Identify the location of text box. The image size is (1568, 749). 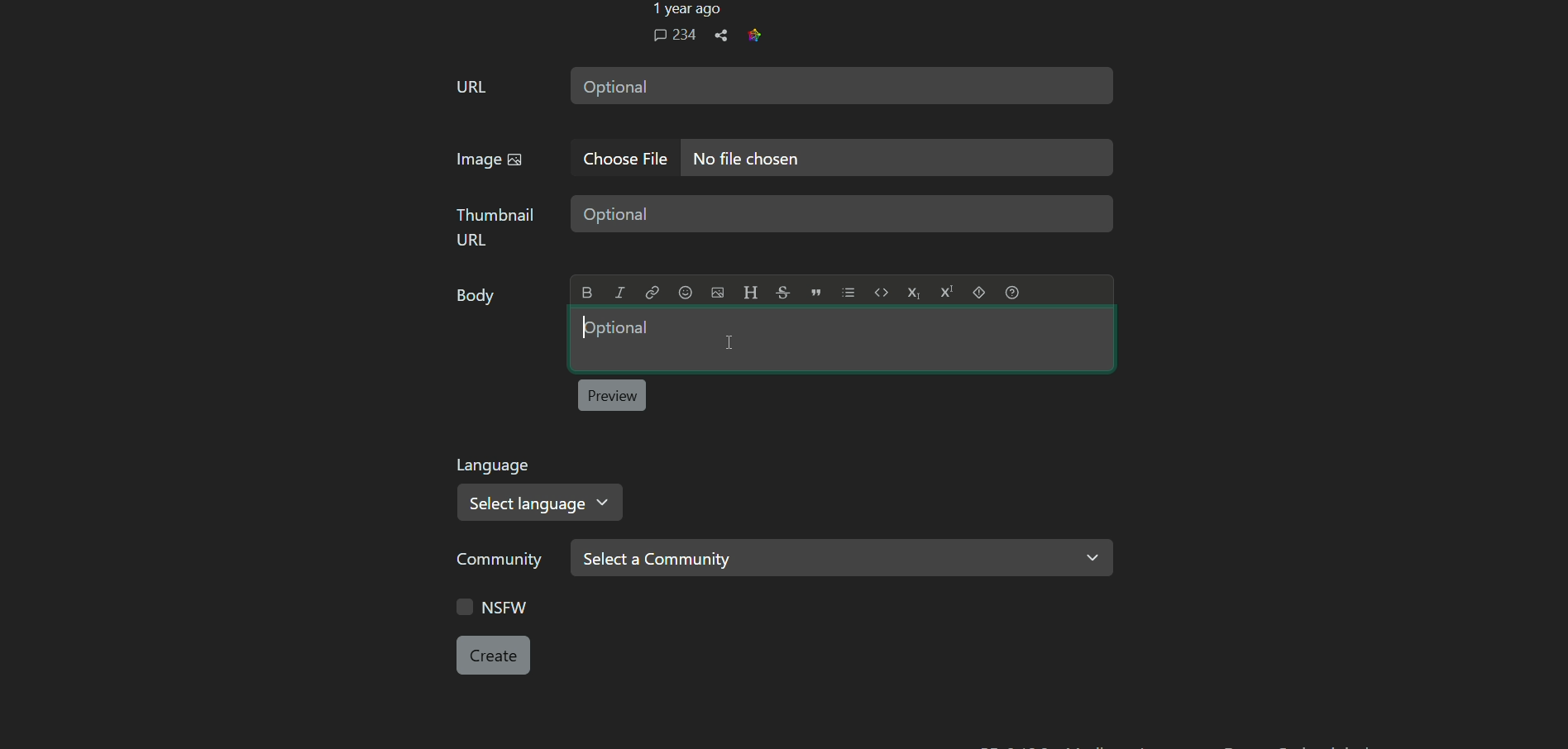
(897, 158).